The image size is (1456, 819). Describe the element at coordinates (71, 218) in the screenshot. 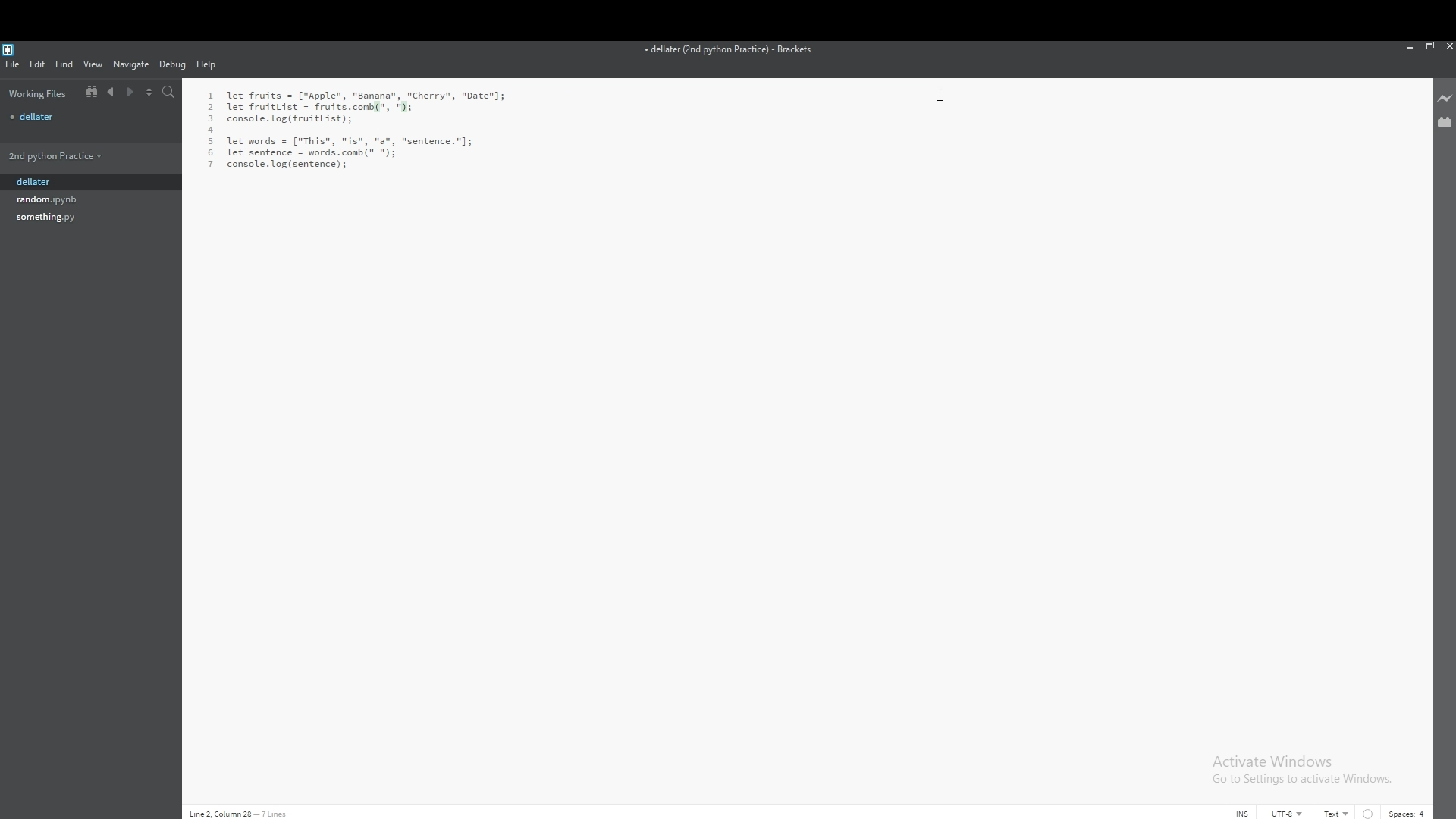

I see `file` at that location.